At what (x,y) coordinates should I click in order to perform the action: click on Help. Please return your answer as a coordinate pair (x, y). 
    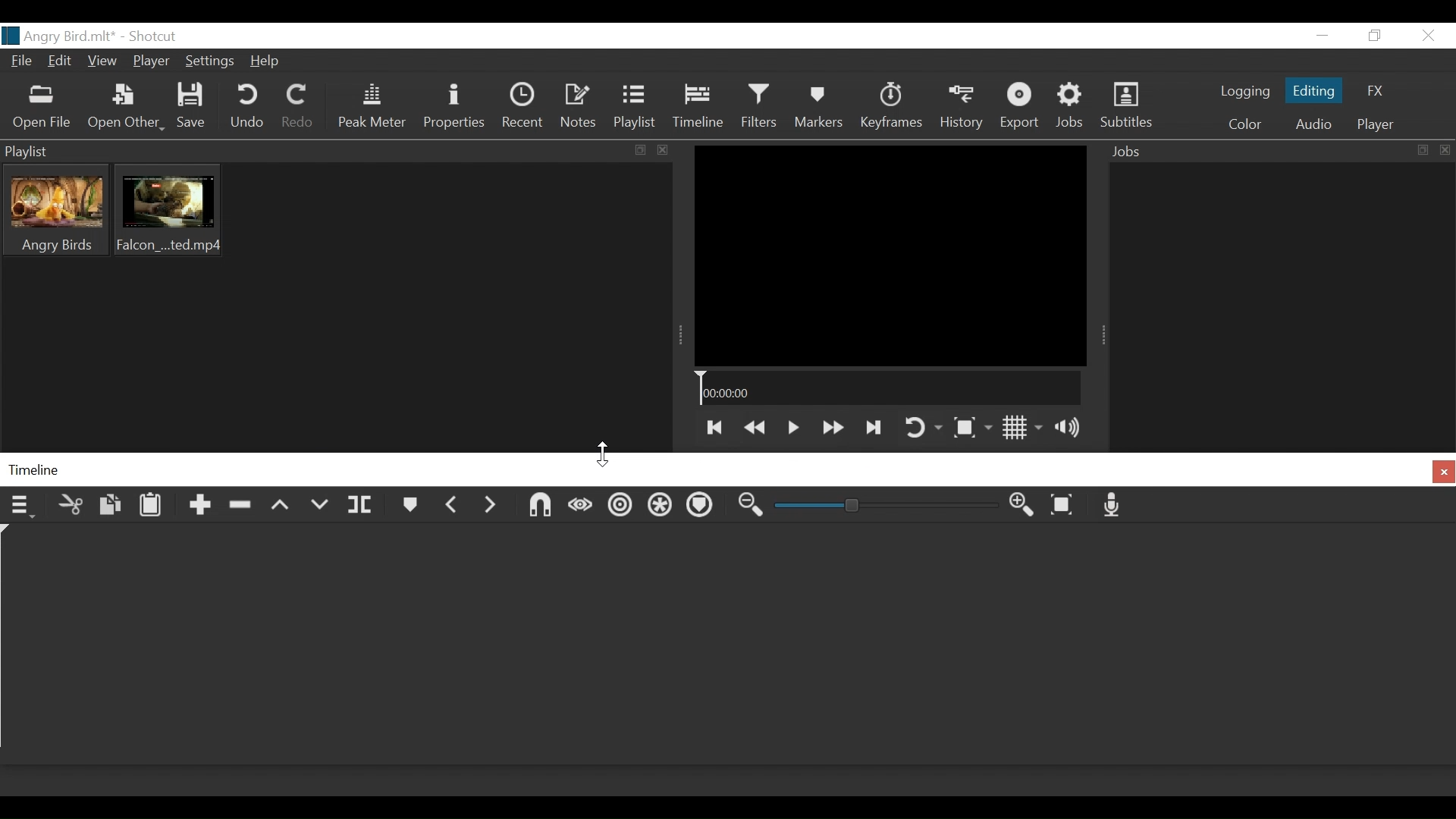
    Looking at the image, I should click on (266, 63).